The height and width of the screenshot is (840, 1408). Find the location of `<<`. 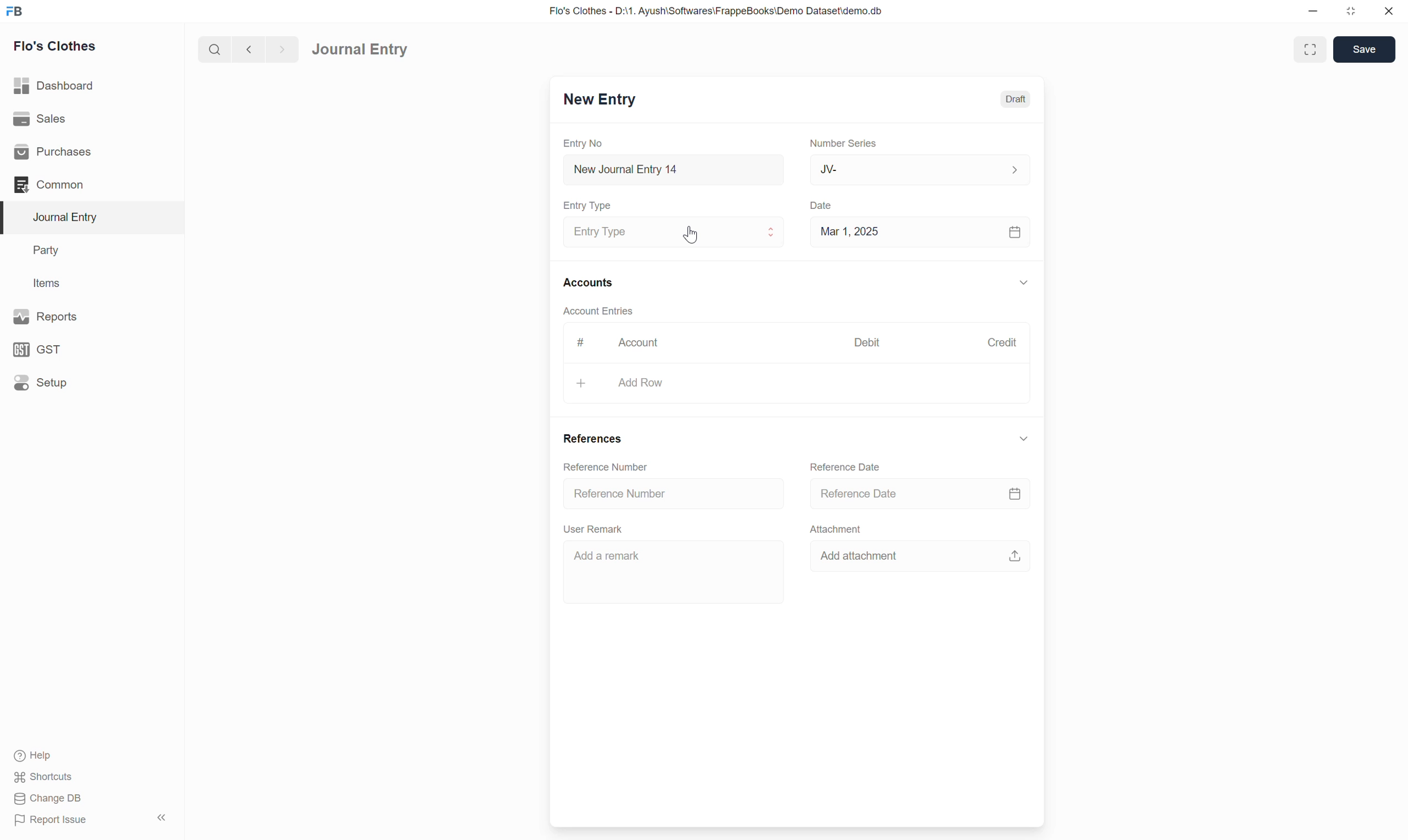

<< is located at coordinates (161, 818).